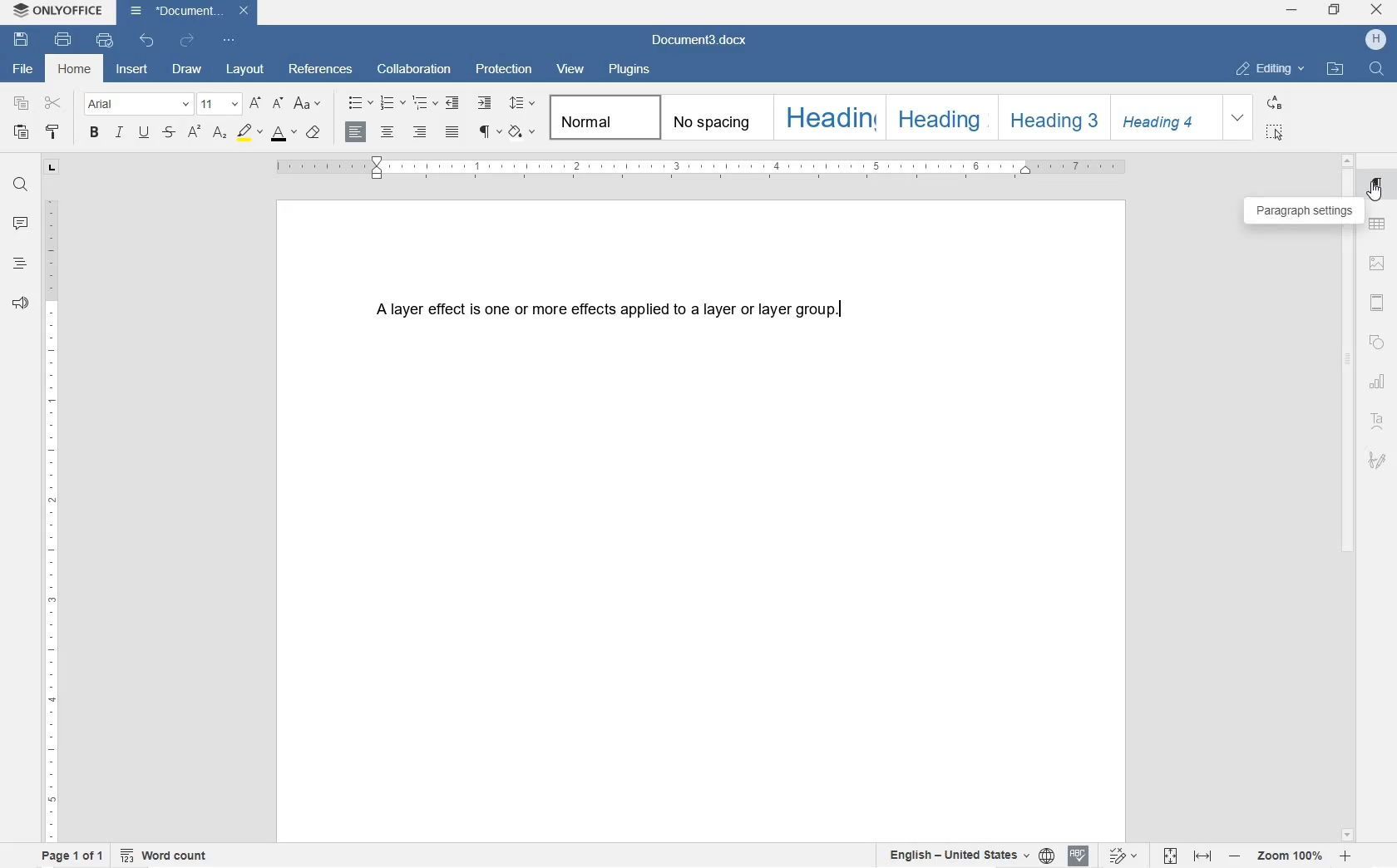  What do you see at coordinates (1380, 460) in the screenshot?
I see `SIGNATURE` at bounding box center [1380, 460].